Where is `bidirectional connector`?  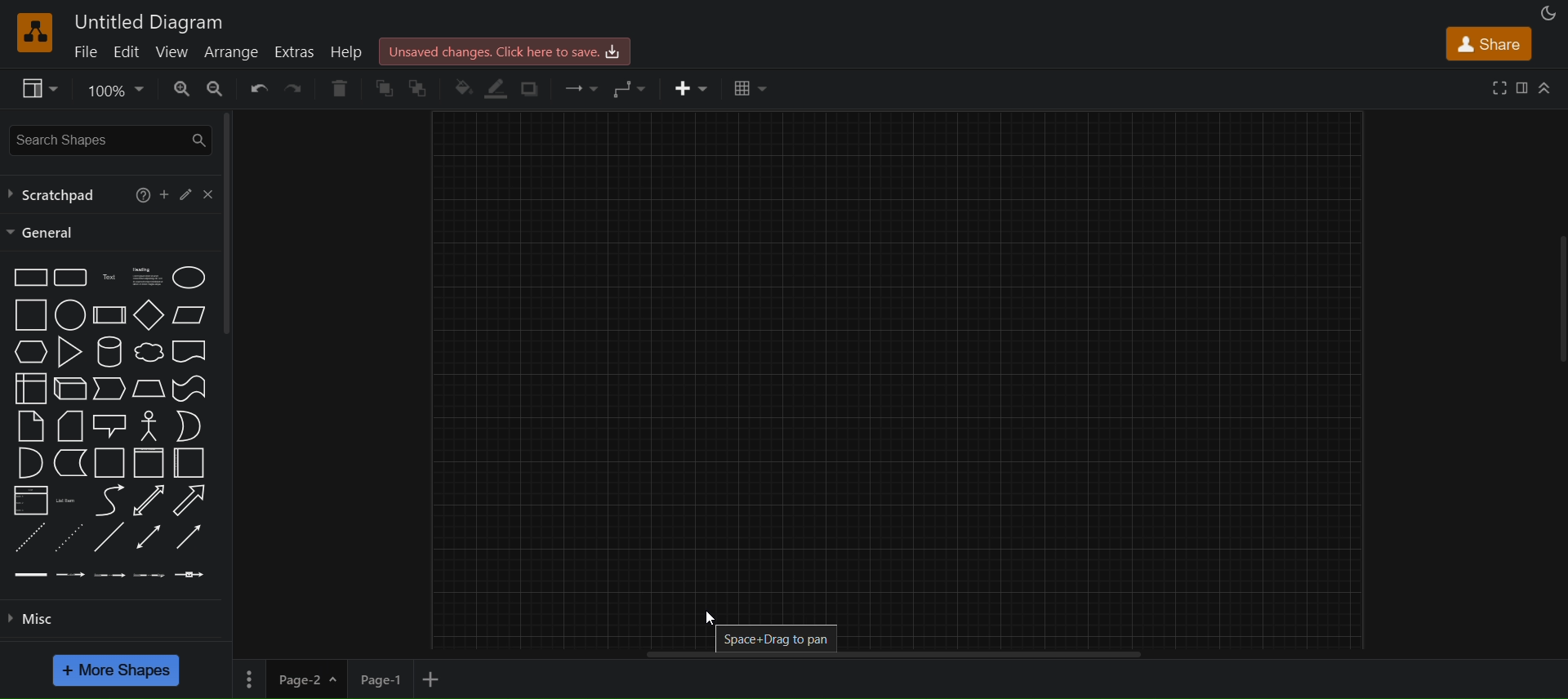
bidirectional connector is located at coordinates (149, 536).